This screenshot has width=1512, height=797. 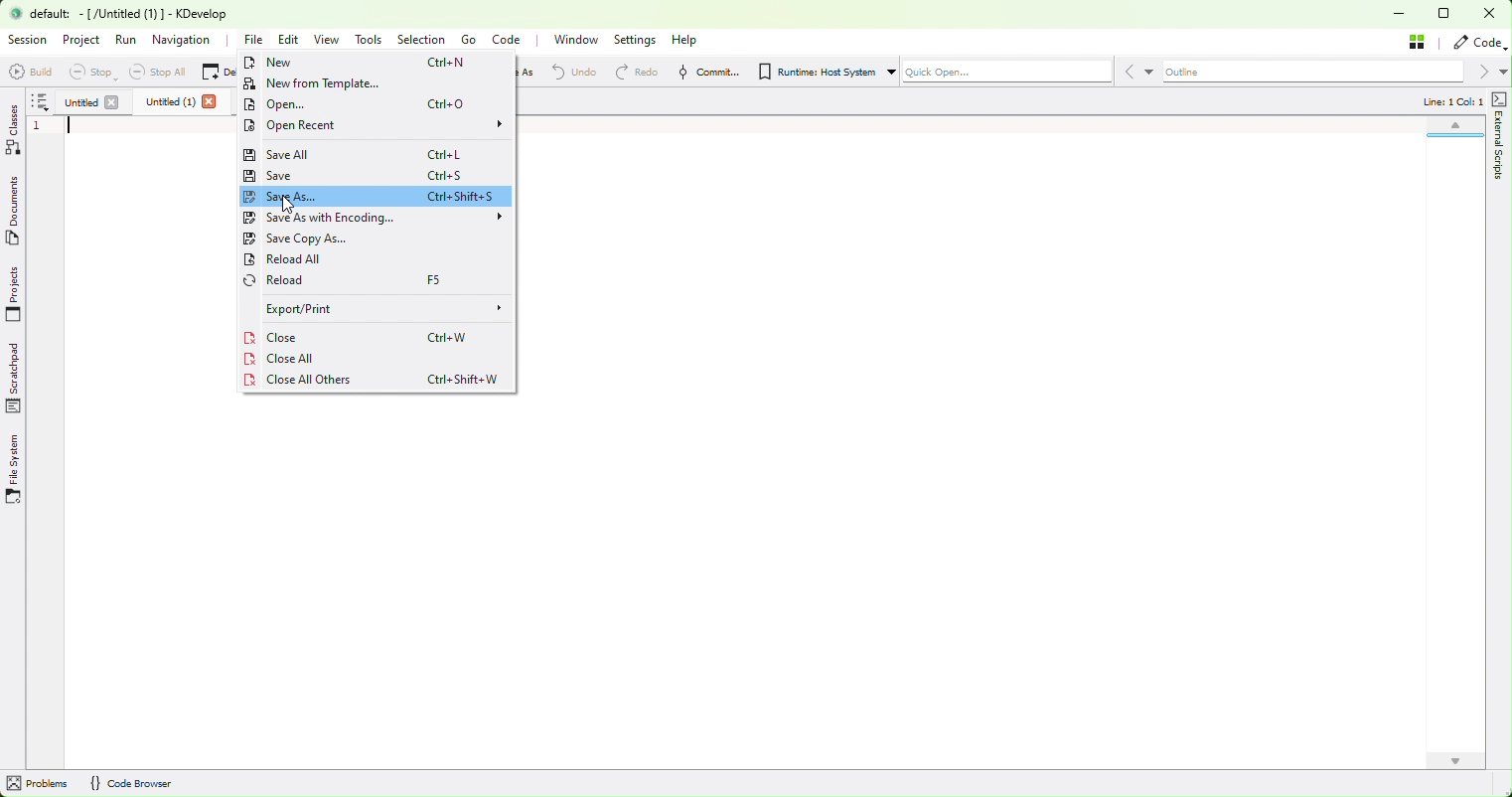 What do you see at coordinates (706, 72) in the screenshot?
I see `Commit` at bounding box center [706, 72].